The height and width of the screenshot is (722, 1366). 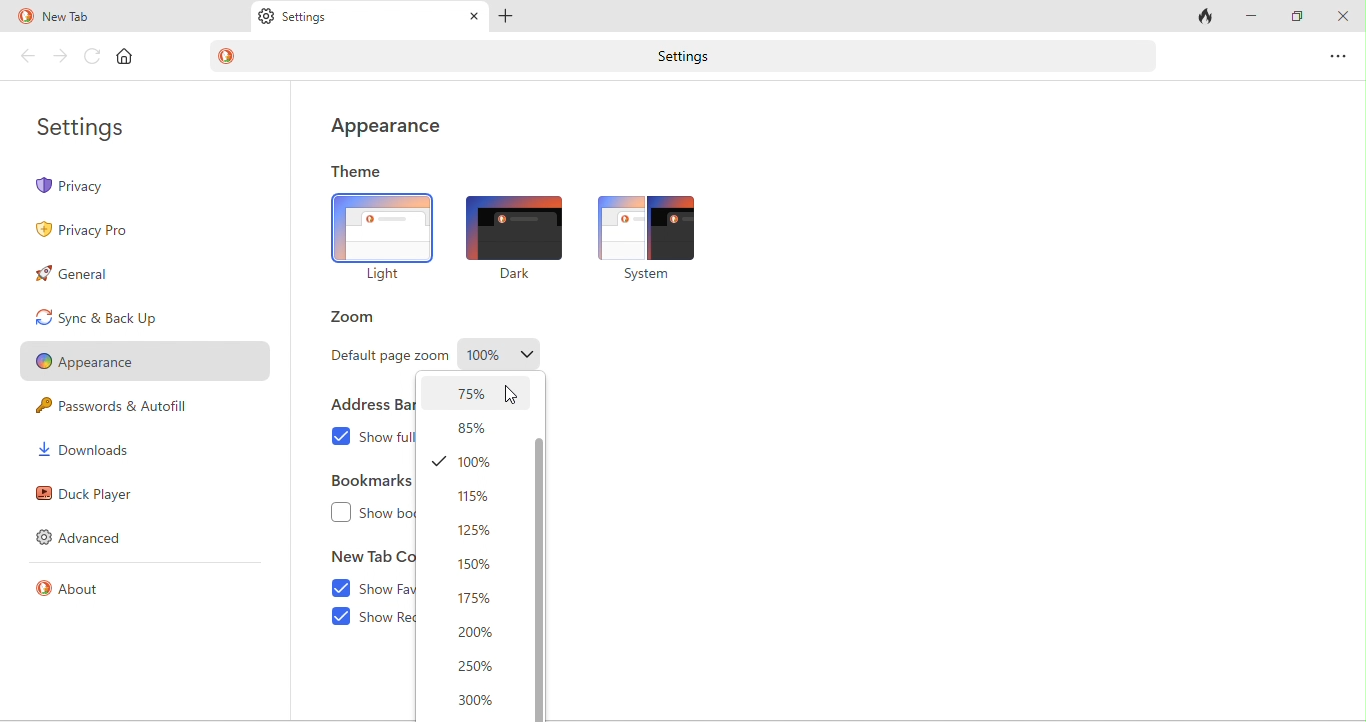 I want to click on close, so click(x=1343, y=18).